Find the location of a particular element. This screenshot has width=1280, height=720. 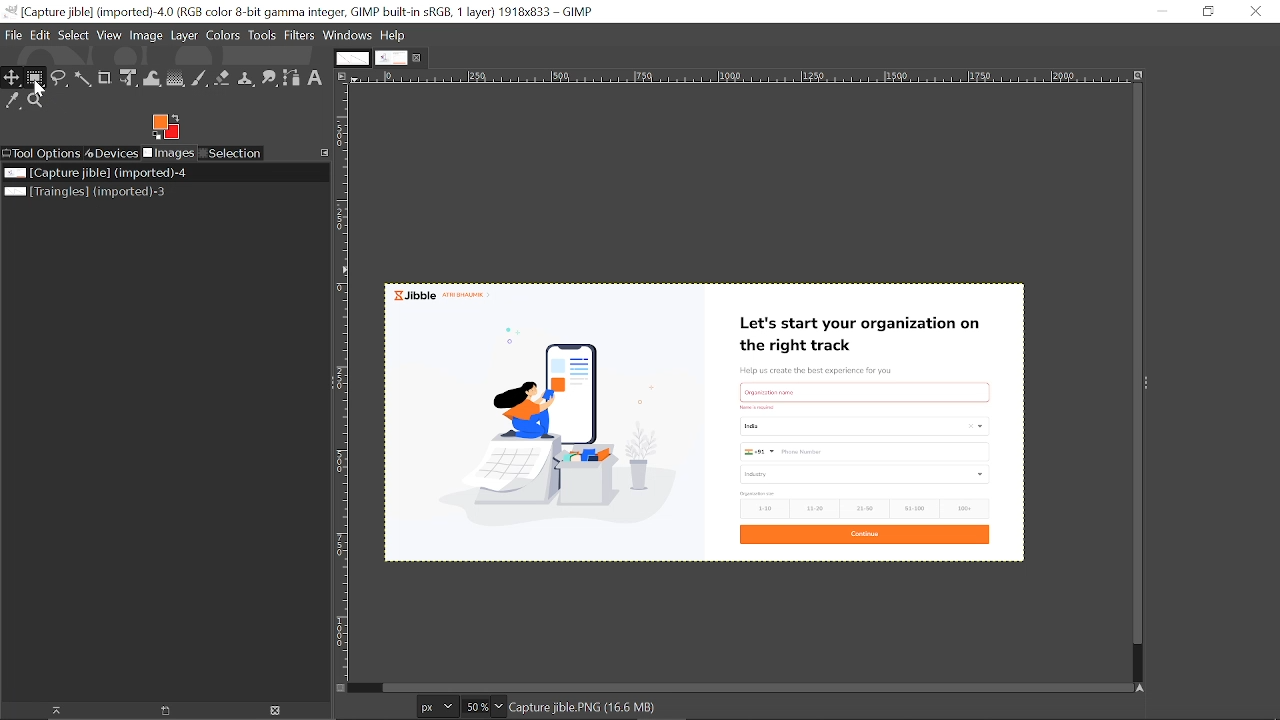

Edit is located at coordinates (40, 34).